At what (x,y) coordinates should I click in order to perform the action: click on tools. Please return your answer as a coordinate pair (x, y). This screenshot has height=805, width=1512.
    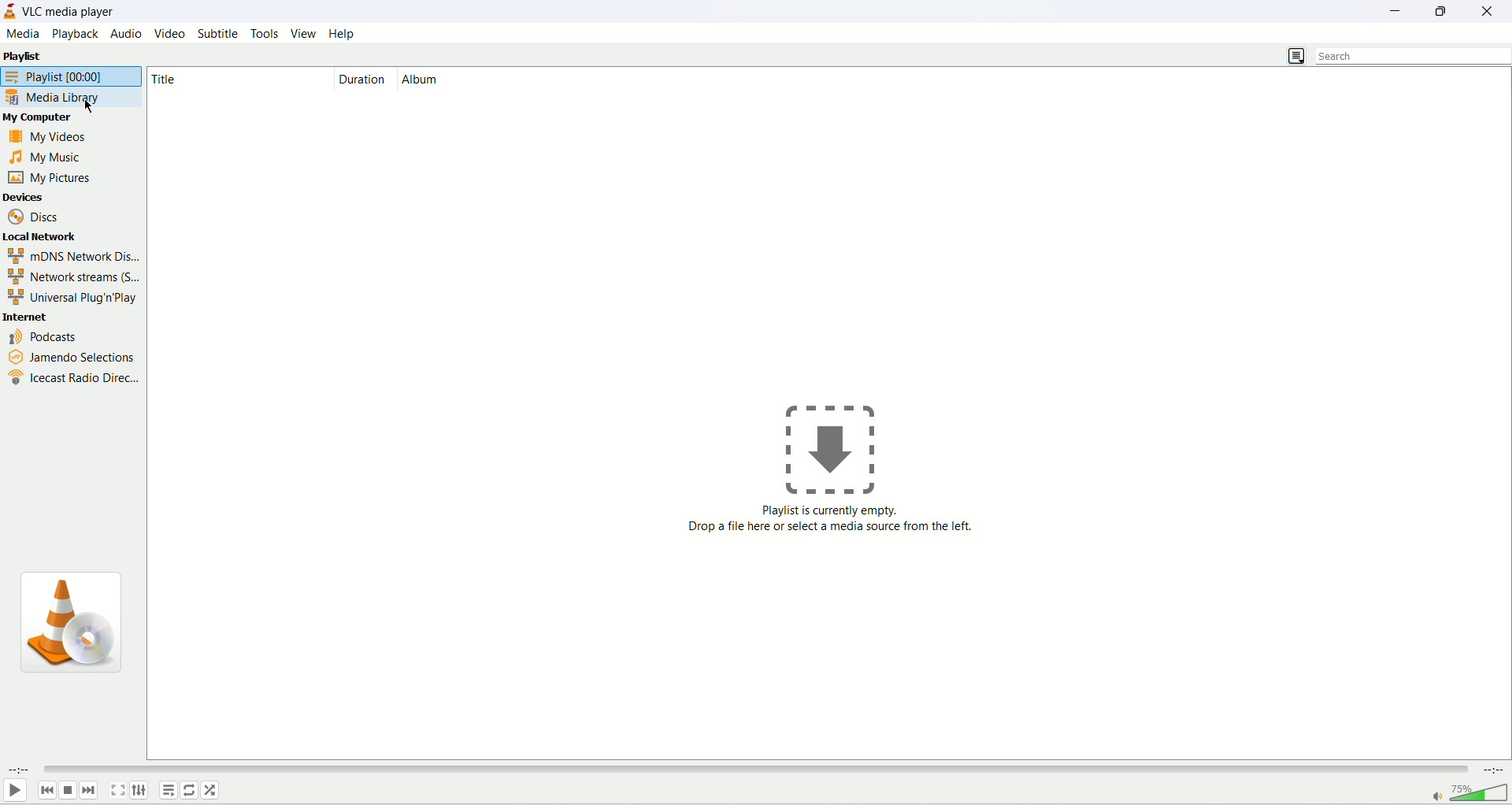
    Looking at the image, I should click on (263, 34).